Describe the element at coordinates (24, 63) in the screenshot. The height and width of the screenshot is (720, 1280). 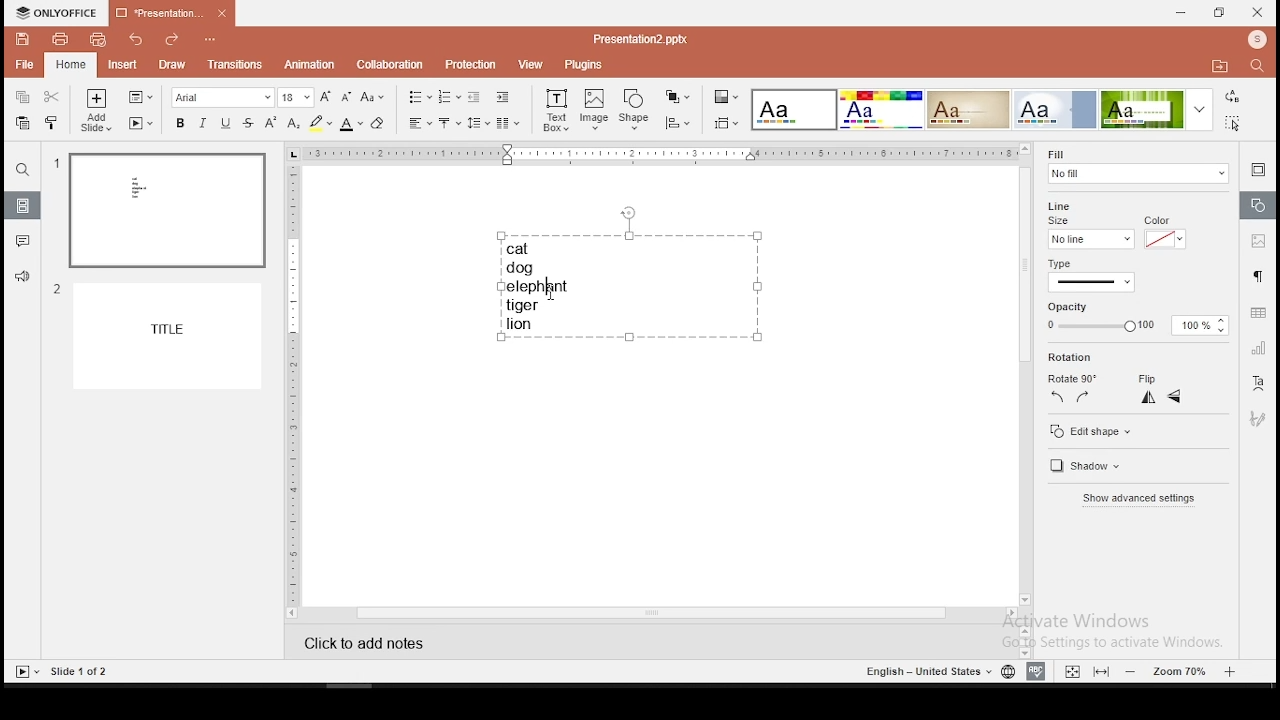
I see `file` at that location.